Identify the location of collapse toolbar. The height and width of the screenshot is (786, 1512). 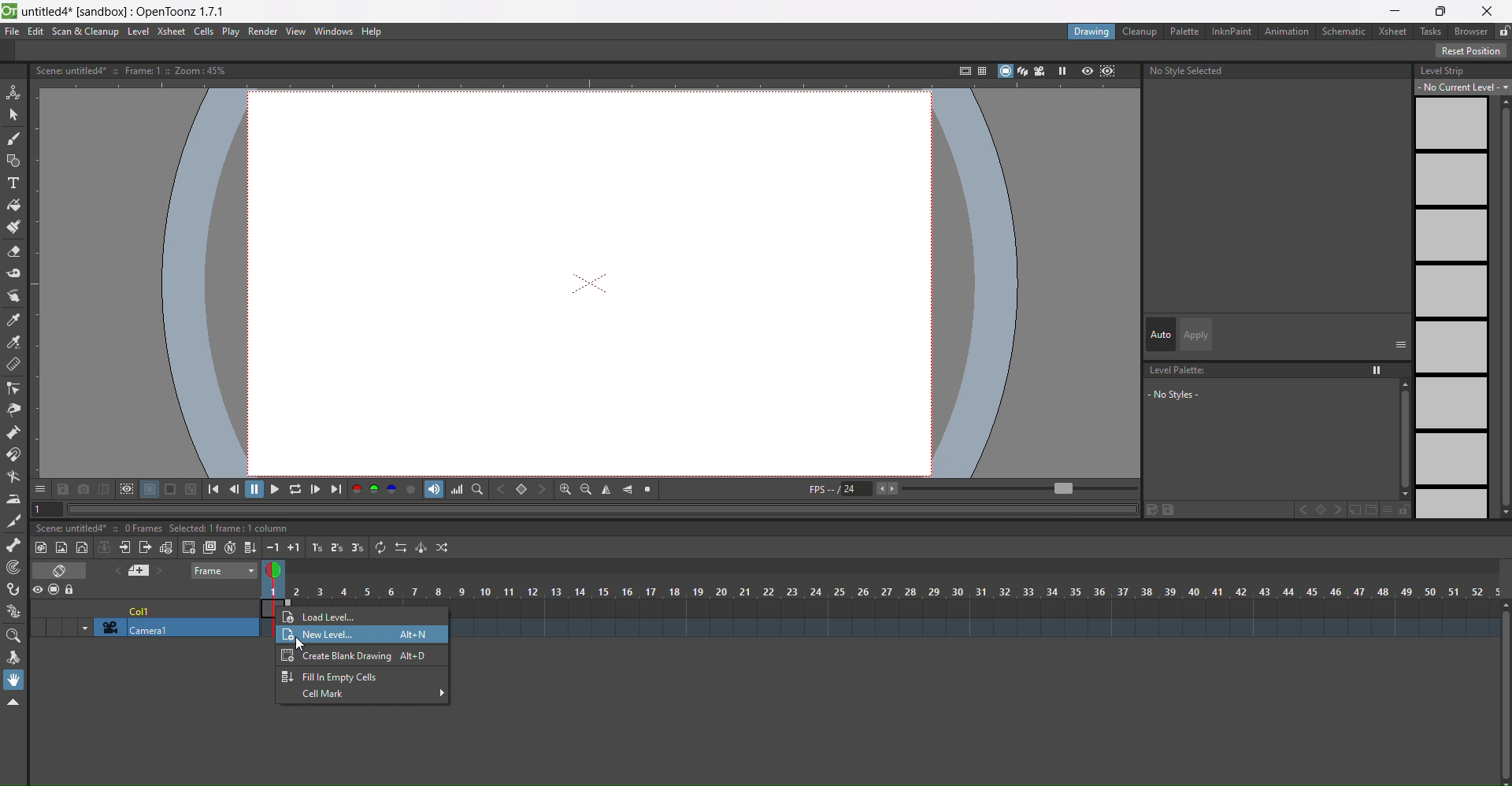
(13, 703).